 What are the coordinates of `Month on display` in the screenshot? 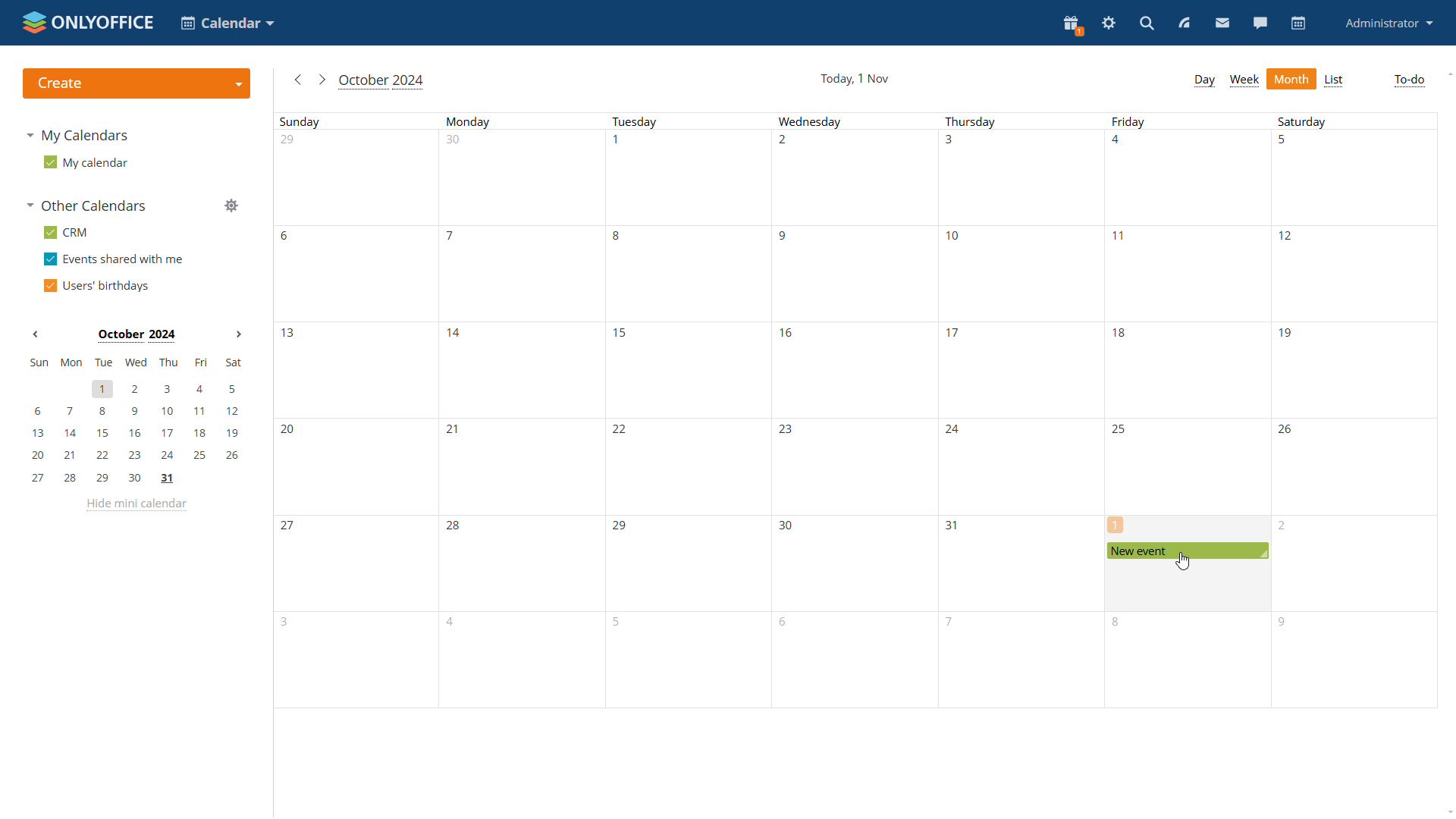 It's located at (135, 335).